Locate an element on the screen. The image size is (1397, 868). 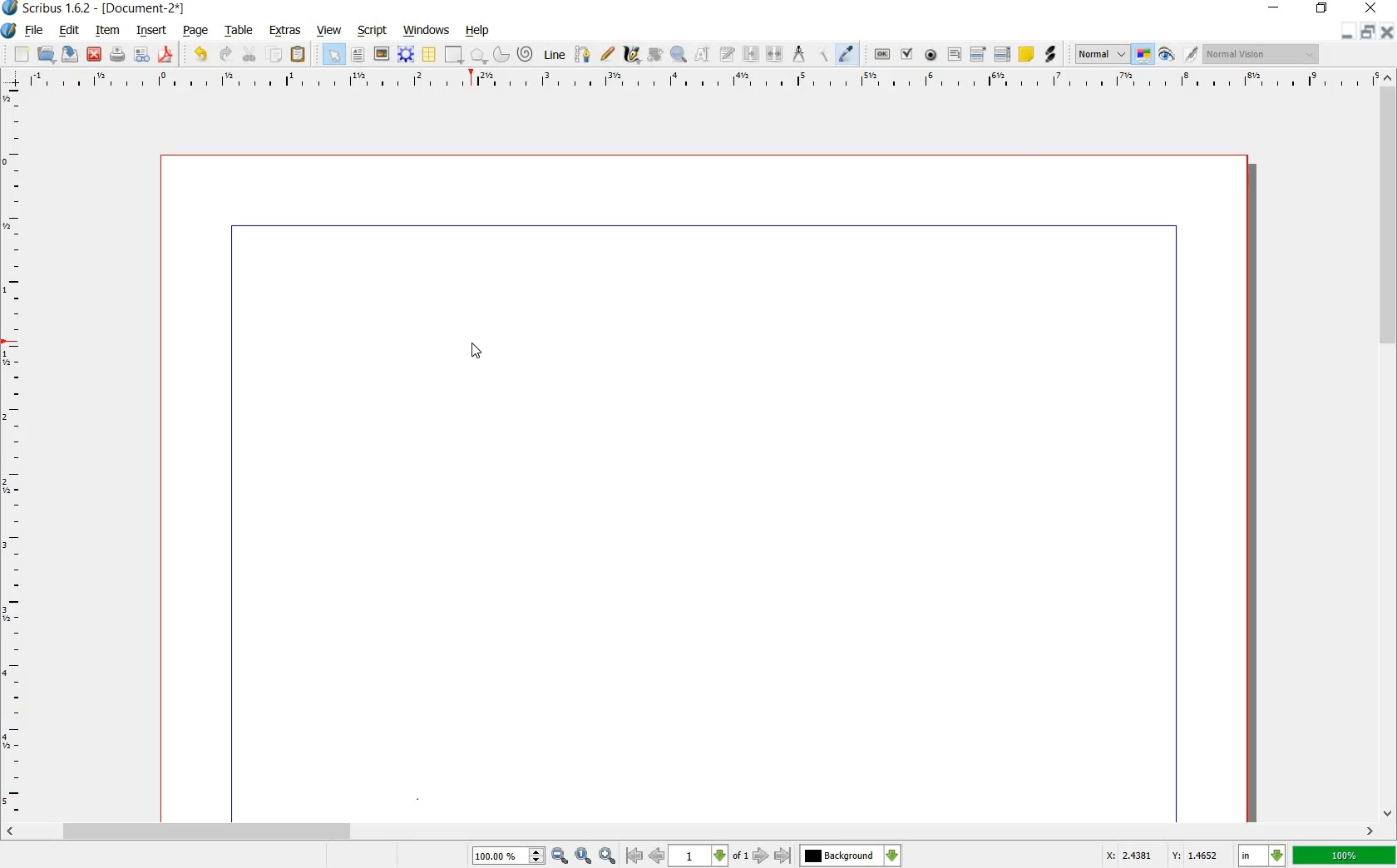
EYE DROPPER is located at coordinates (849, 54).